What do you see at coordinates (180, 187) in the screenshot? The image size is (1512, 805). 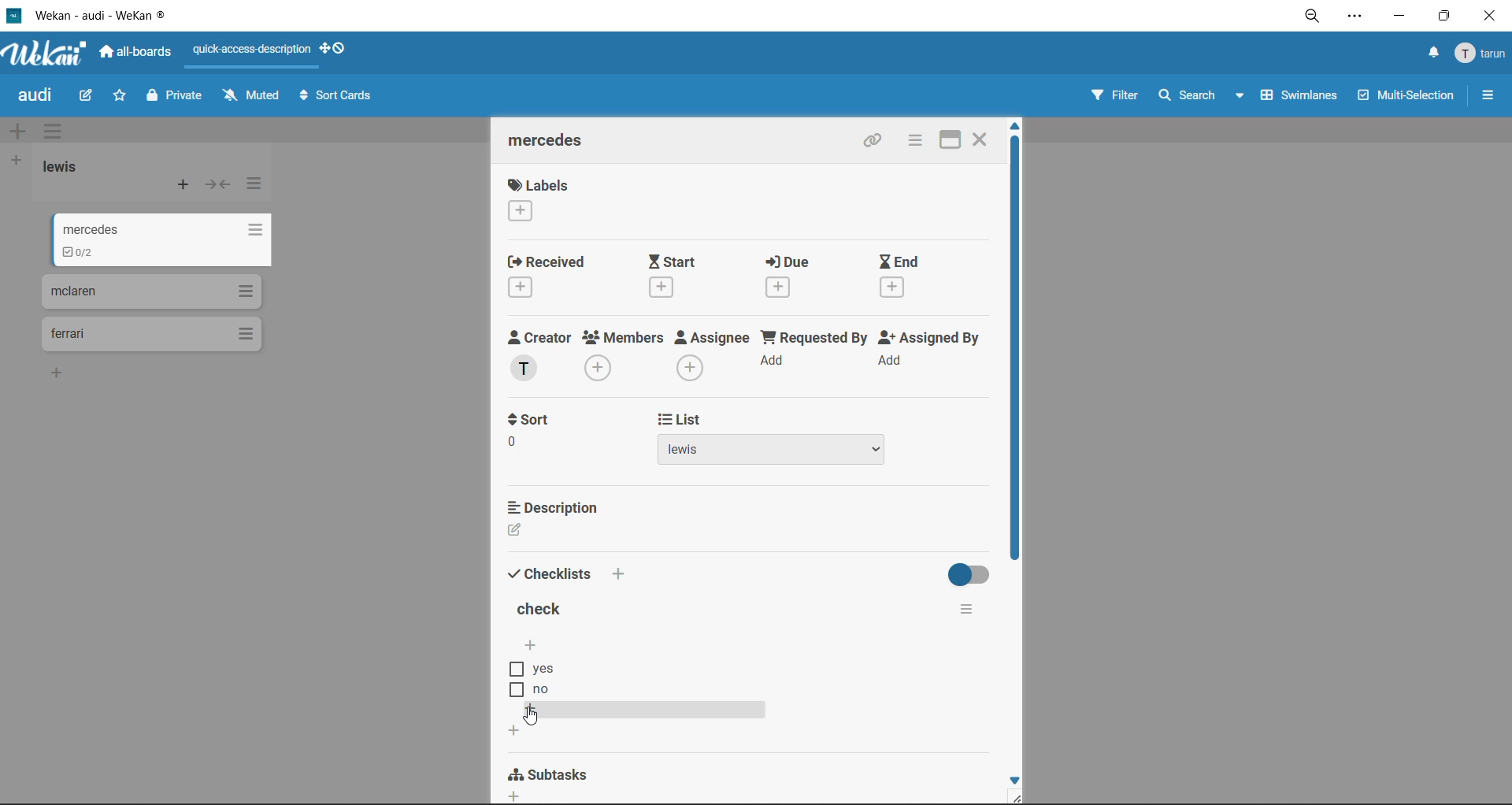 I see `add card` at bounding box center [180, 187].